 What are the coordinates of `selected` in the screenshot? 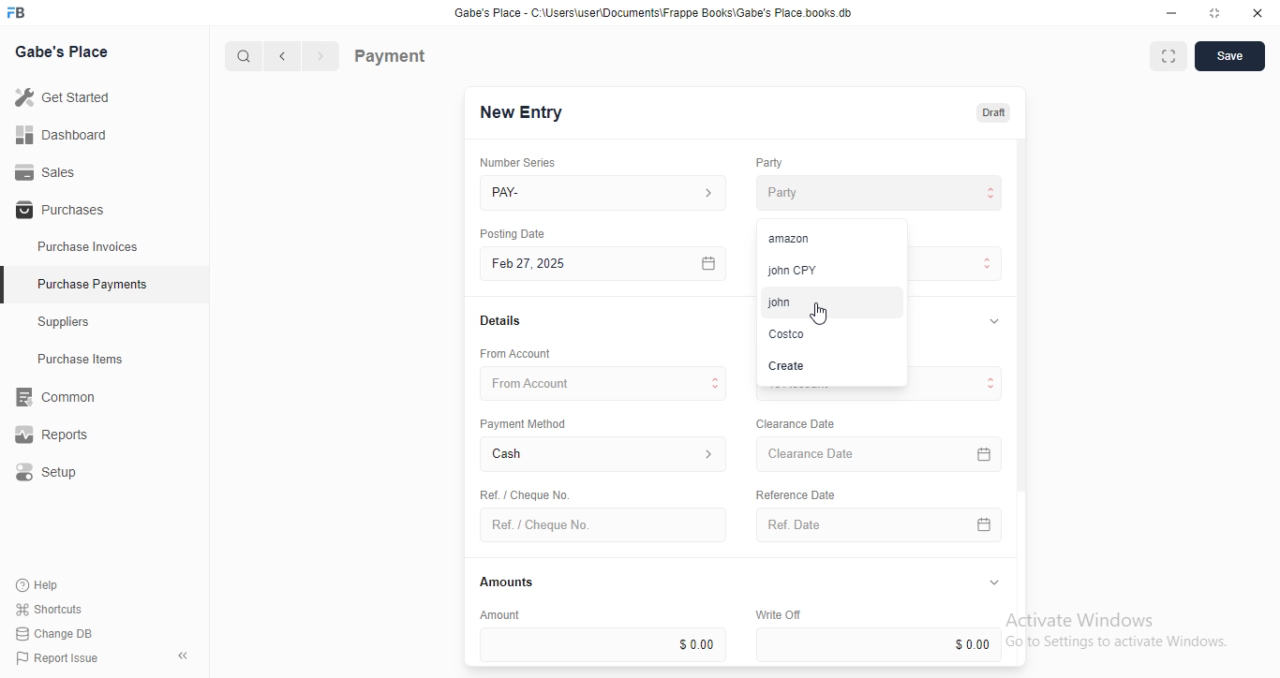 It's located at (8, 287).